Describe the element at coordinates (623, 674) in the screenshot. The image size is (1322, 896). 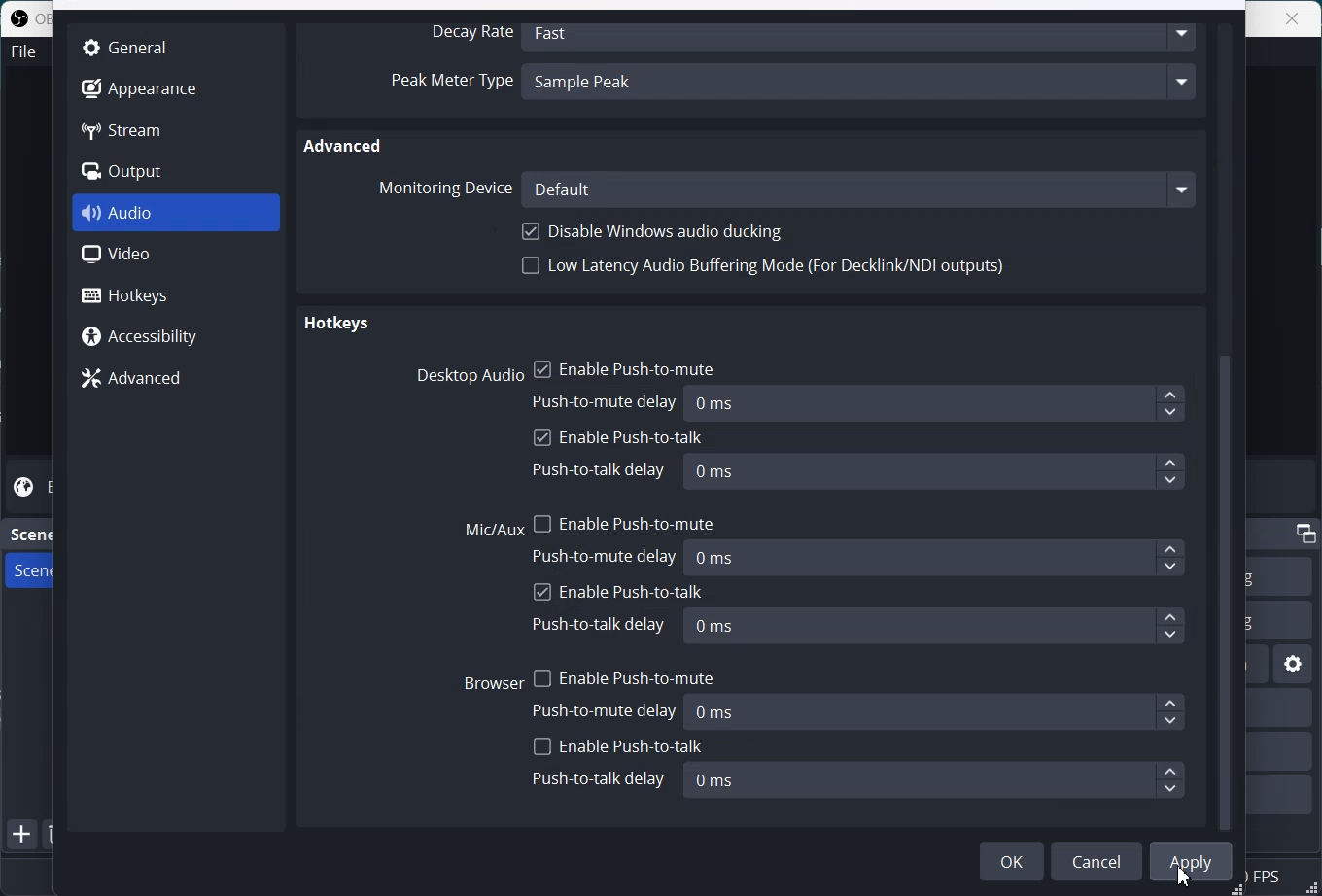
I see `Enable Push-to-mute` at that location.